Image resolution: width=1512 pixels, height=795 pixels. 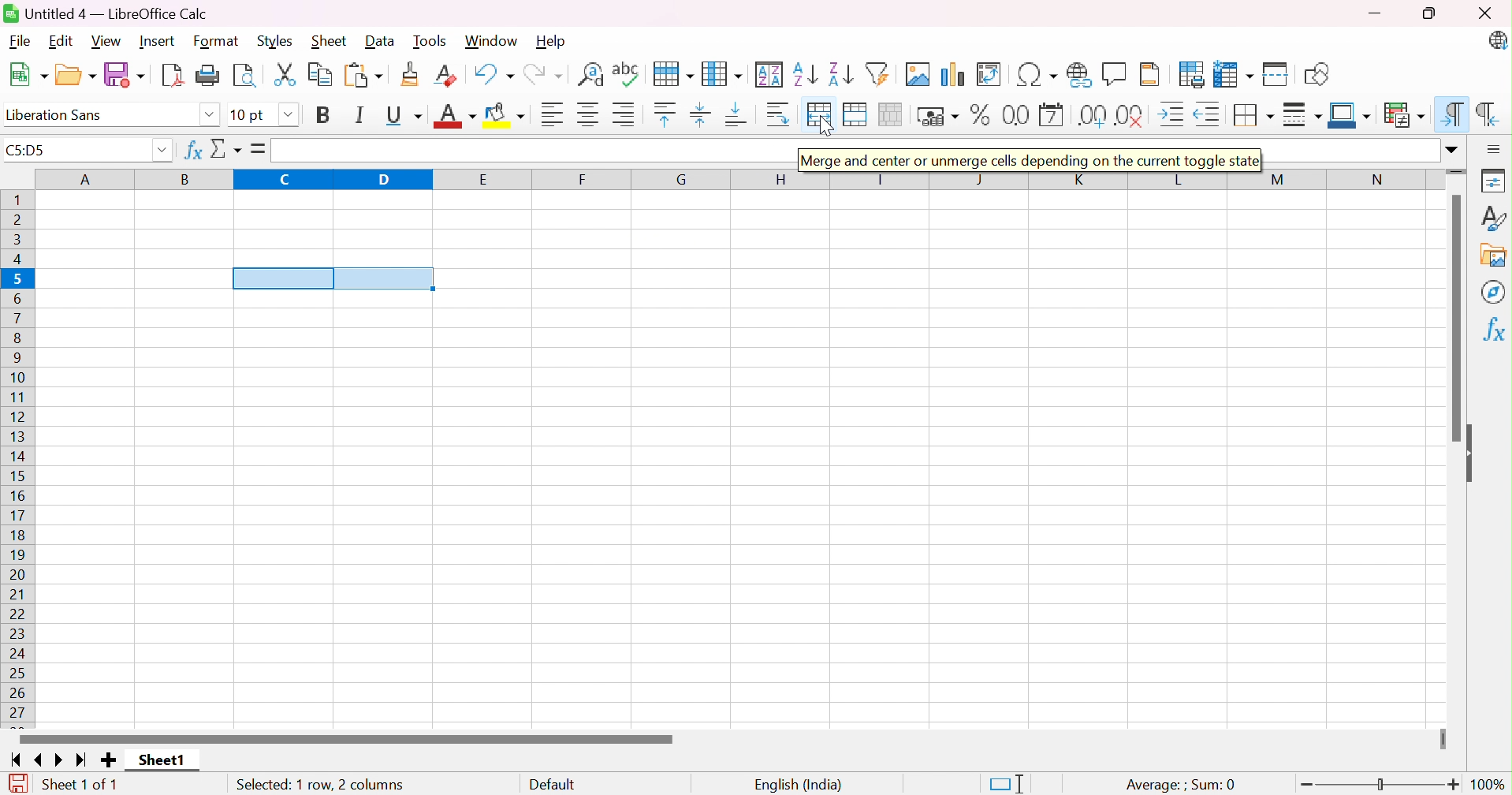 What do you see at coordinates (626, 74) in the screenshot?
I see `Spelling` at bounding box center [626, 74].